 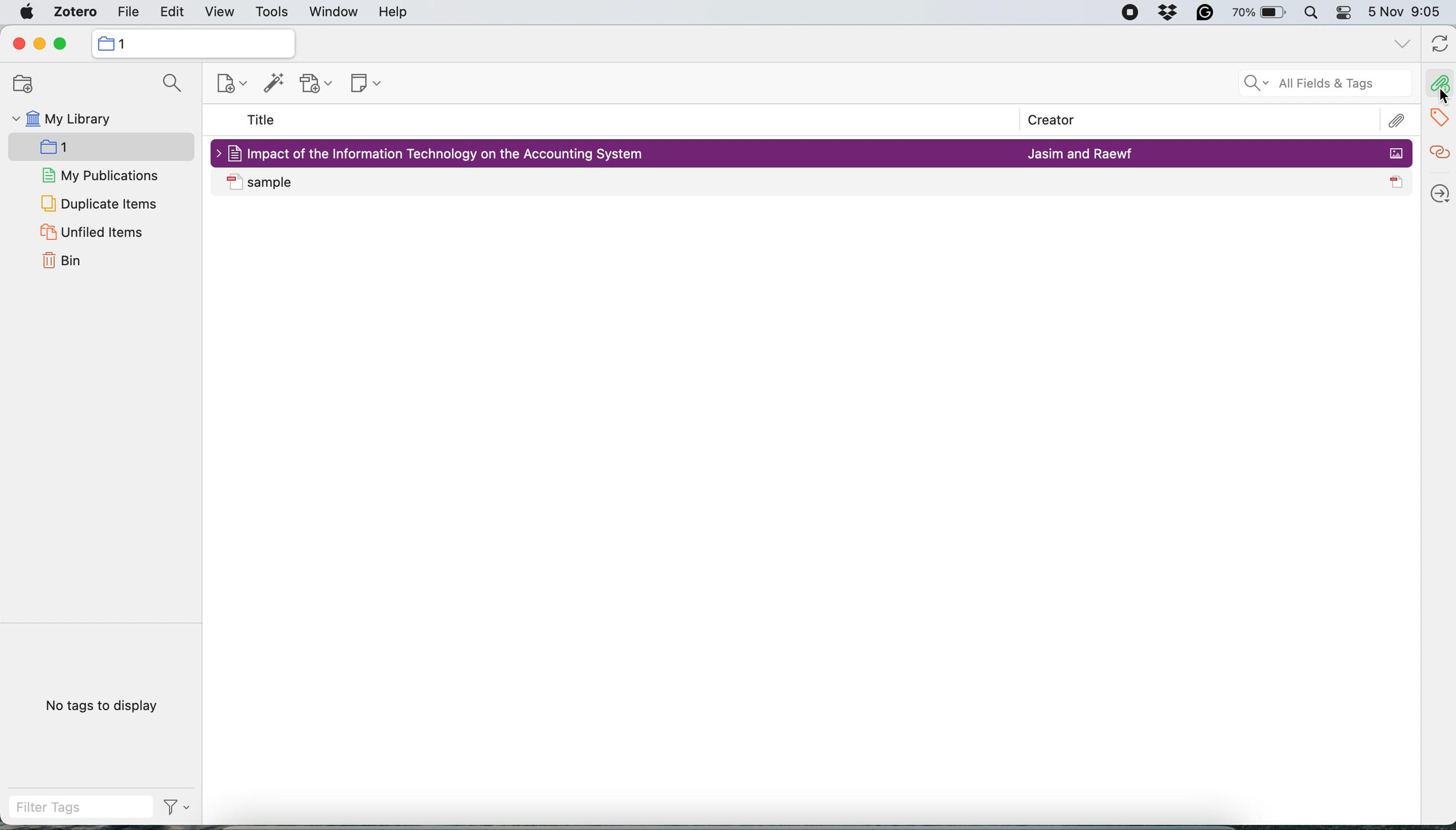 I want to click on unfiled items, so click(x=91, y=233).